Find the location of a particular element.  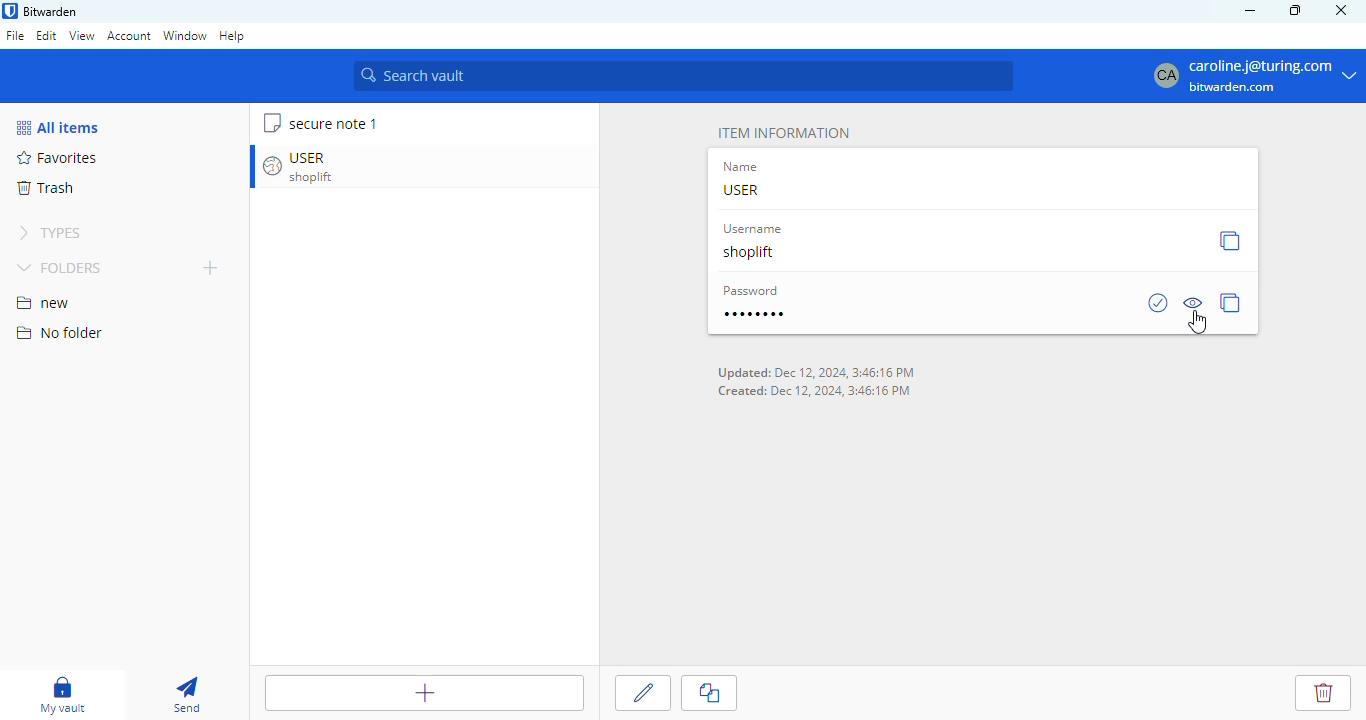

caroline.j@turing.com    bitwarden.com is located at coordinates (1256, 74).